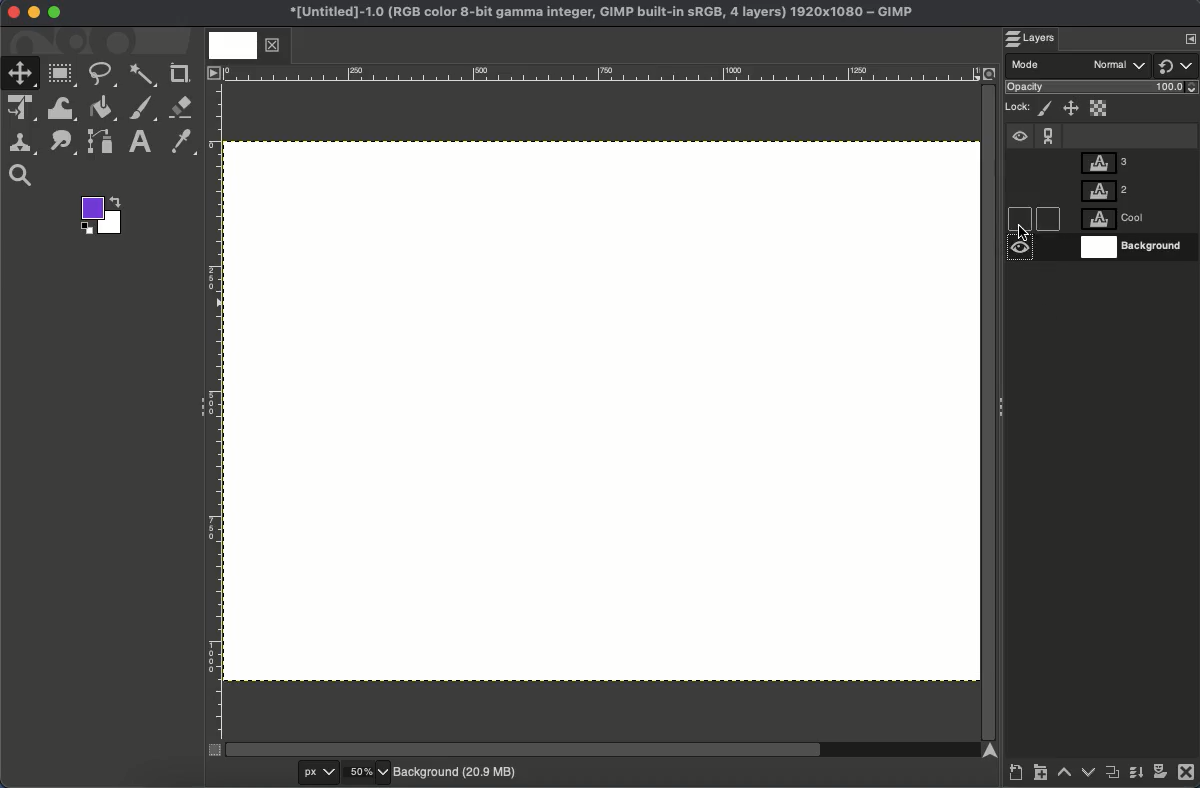  Describe the element at coordinates (142, 75) in the screenshot. I see `Fuzzy select` at that location.